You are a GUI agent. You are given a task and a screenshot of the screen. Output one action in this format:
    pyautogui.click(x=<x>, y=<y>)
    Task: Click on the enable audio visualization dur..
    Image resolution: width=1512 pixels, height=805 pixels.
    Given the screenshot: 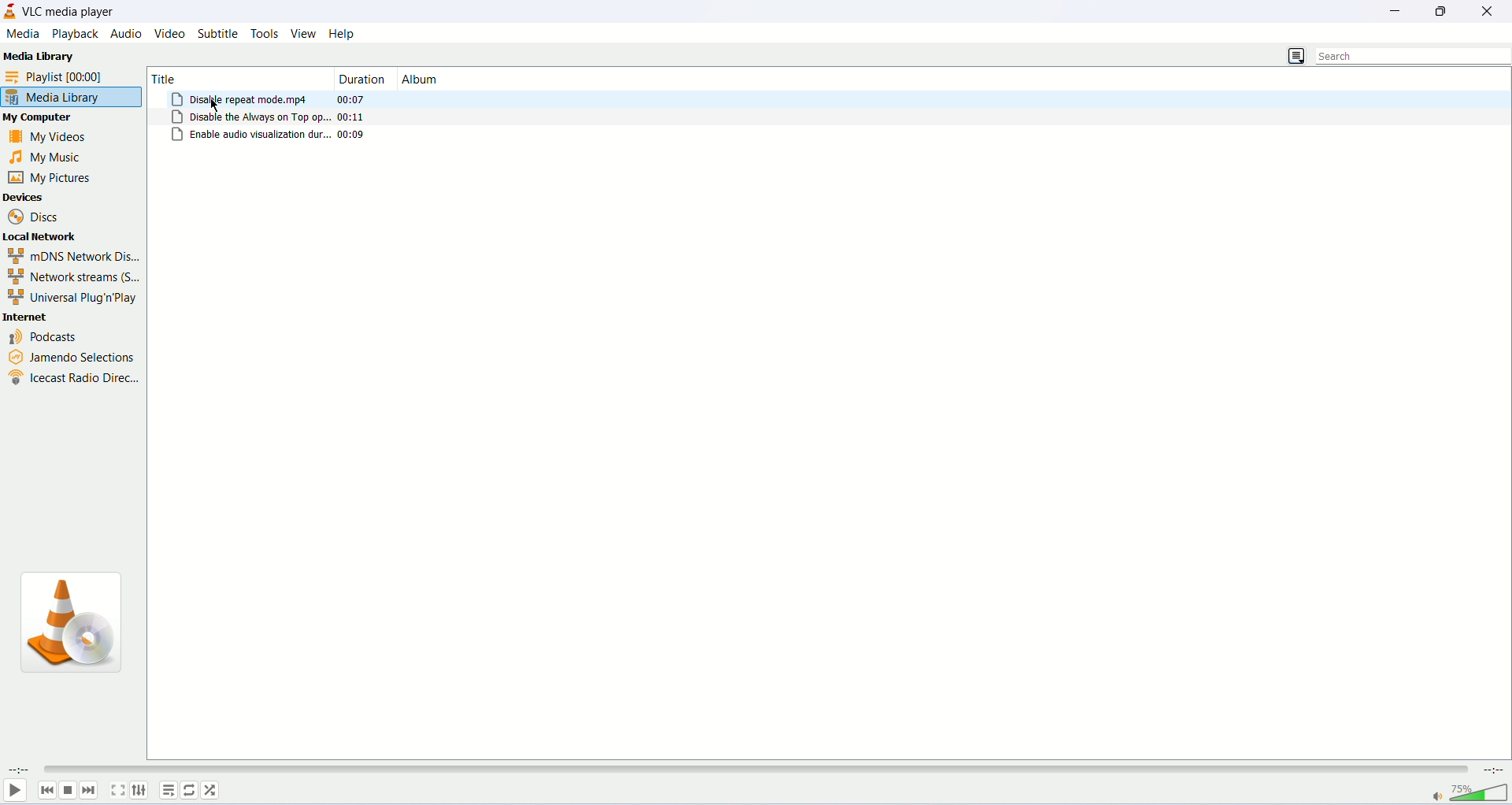 What is the action you would take?
    pyautogui.click(x=250, y=134)
    